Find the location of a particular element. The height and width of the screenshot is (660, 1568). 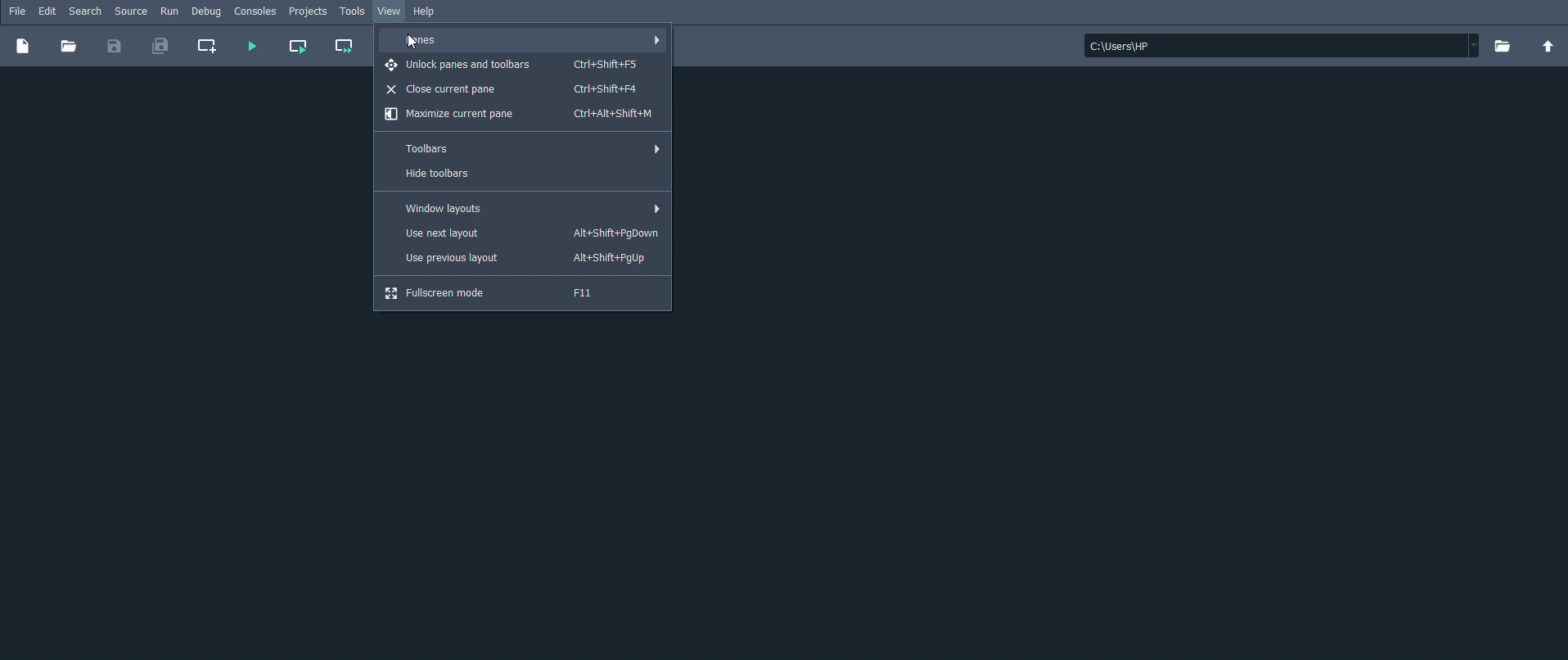

Run current cell is located at coordinates (298, 47).